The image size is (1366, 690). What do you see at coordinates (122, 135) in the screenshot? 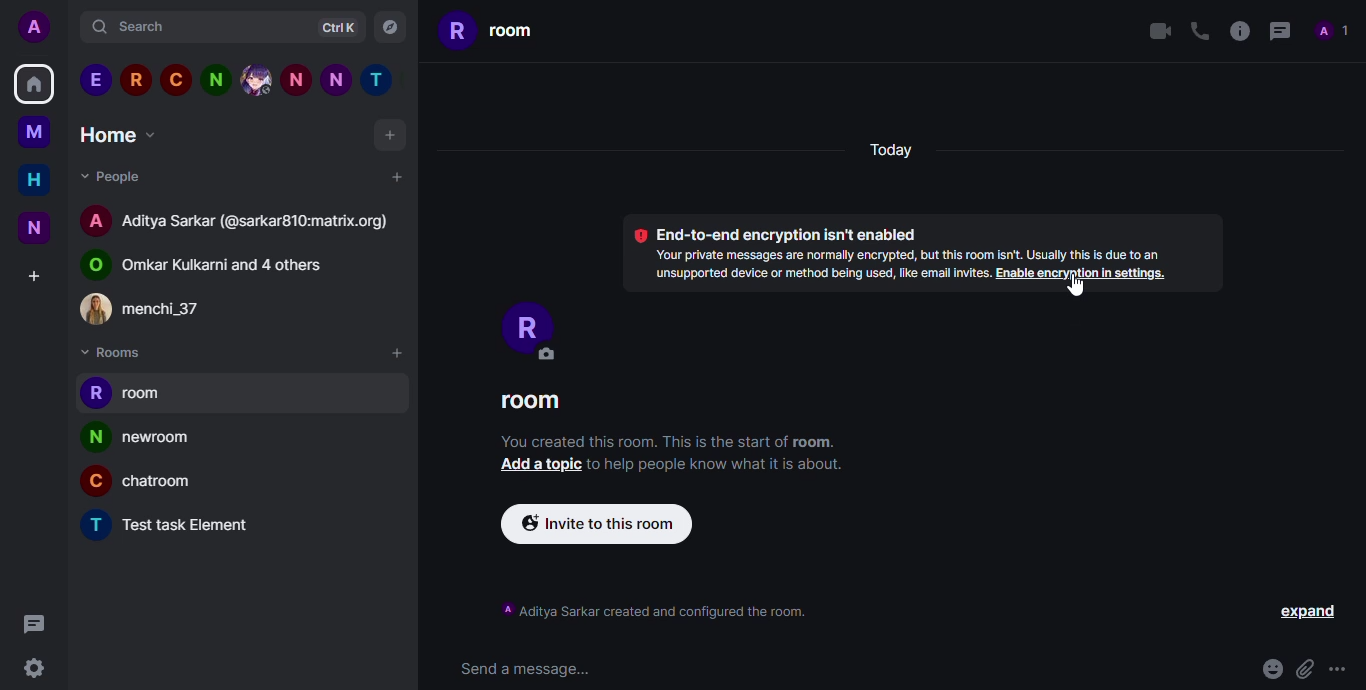
I see `home dropdown` at bounding box center [122, 135].